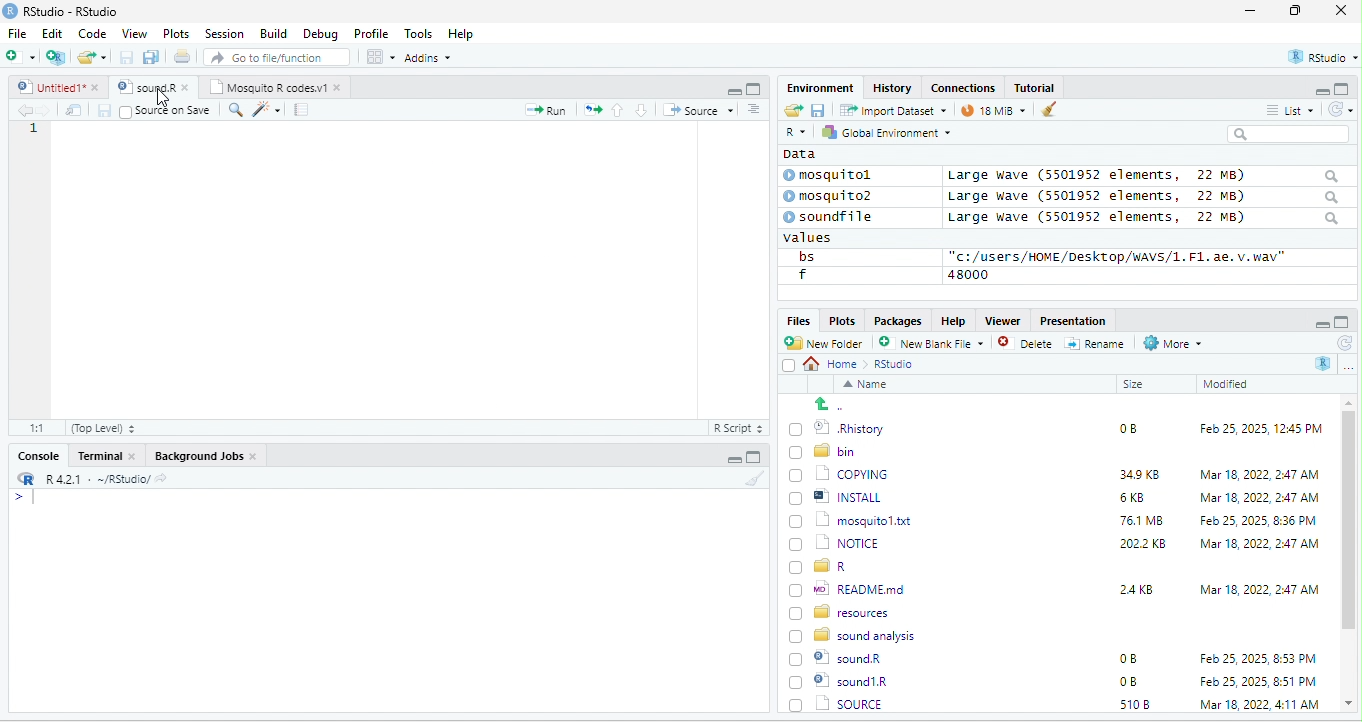 Image resolution: width=1362 pixels, height=722 pixels. I want to click on Run, so click(542, 110).